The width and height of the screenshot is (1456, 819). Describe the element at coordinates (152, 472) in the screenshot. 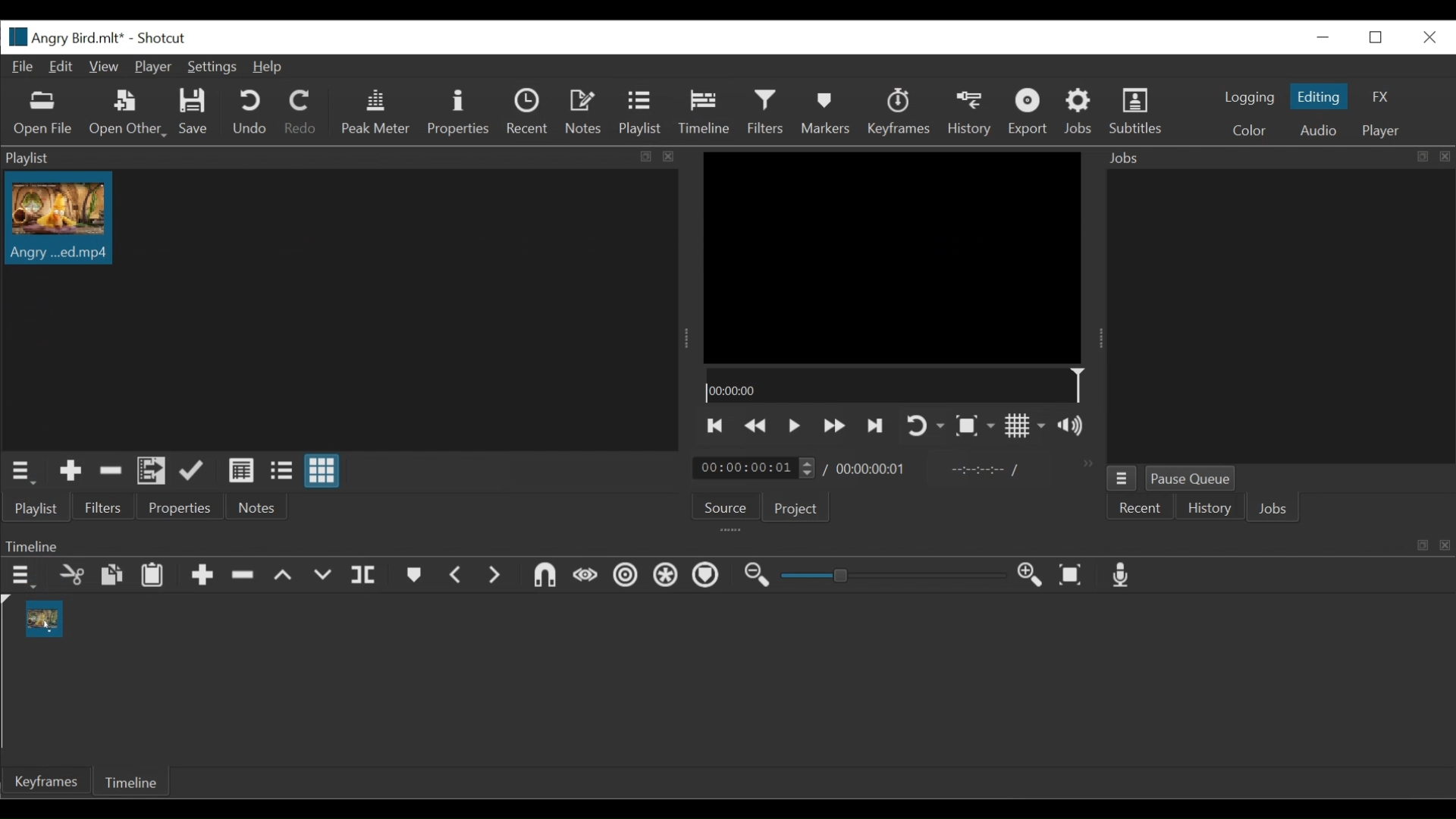

I see `Add files to the playlist` at that location.